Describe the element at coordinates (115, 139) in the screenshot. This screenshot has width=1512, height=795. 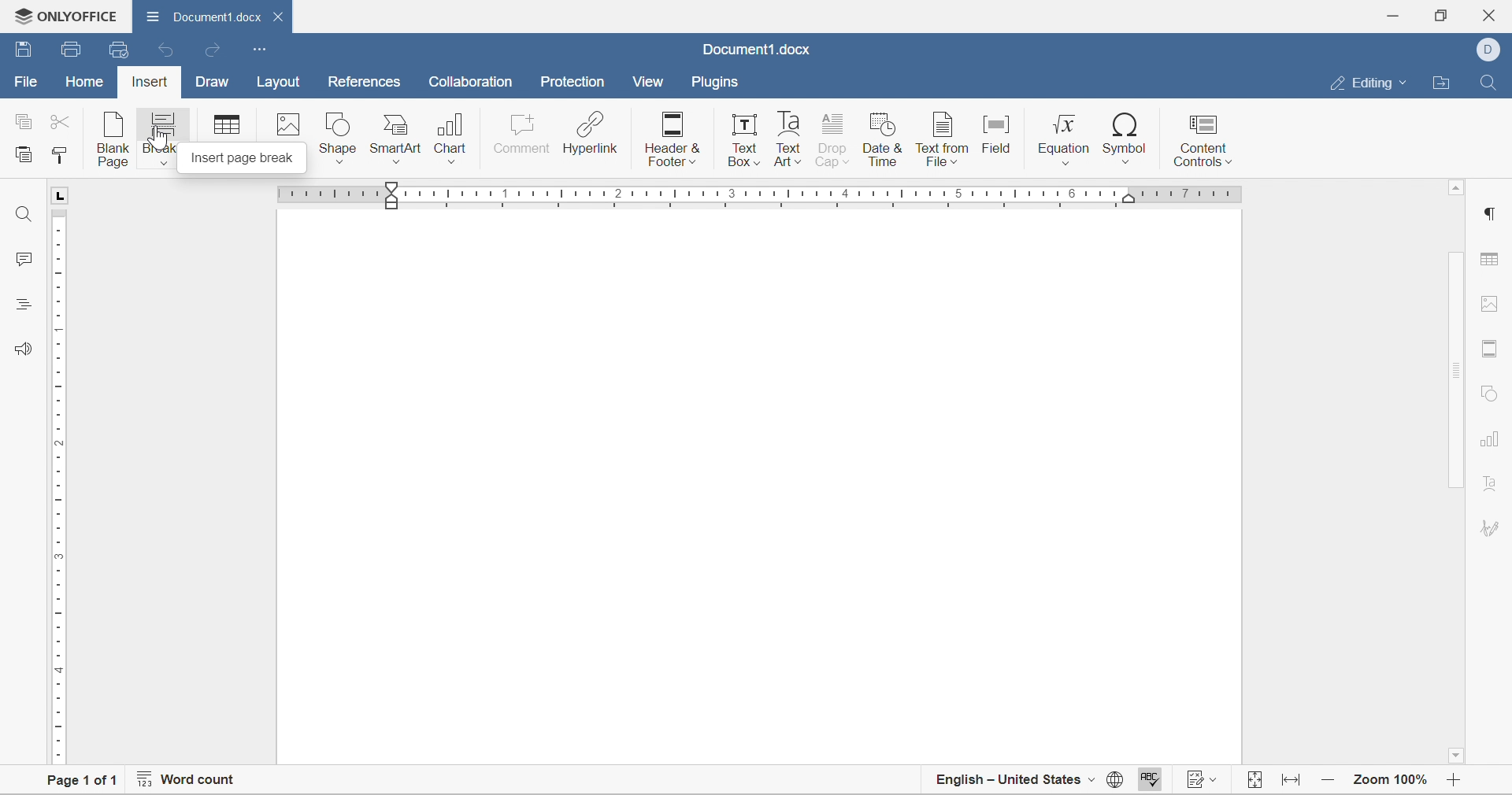
I see `Insert blank page` at that location.